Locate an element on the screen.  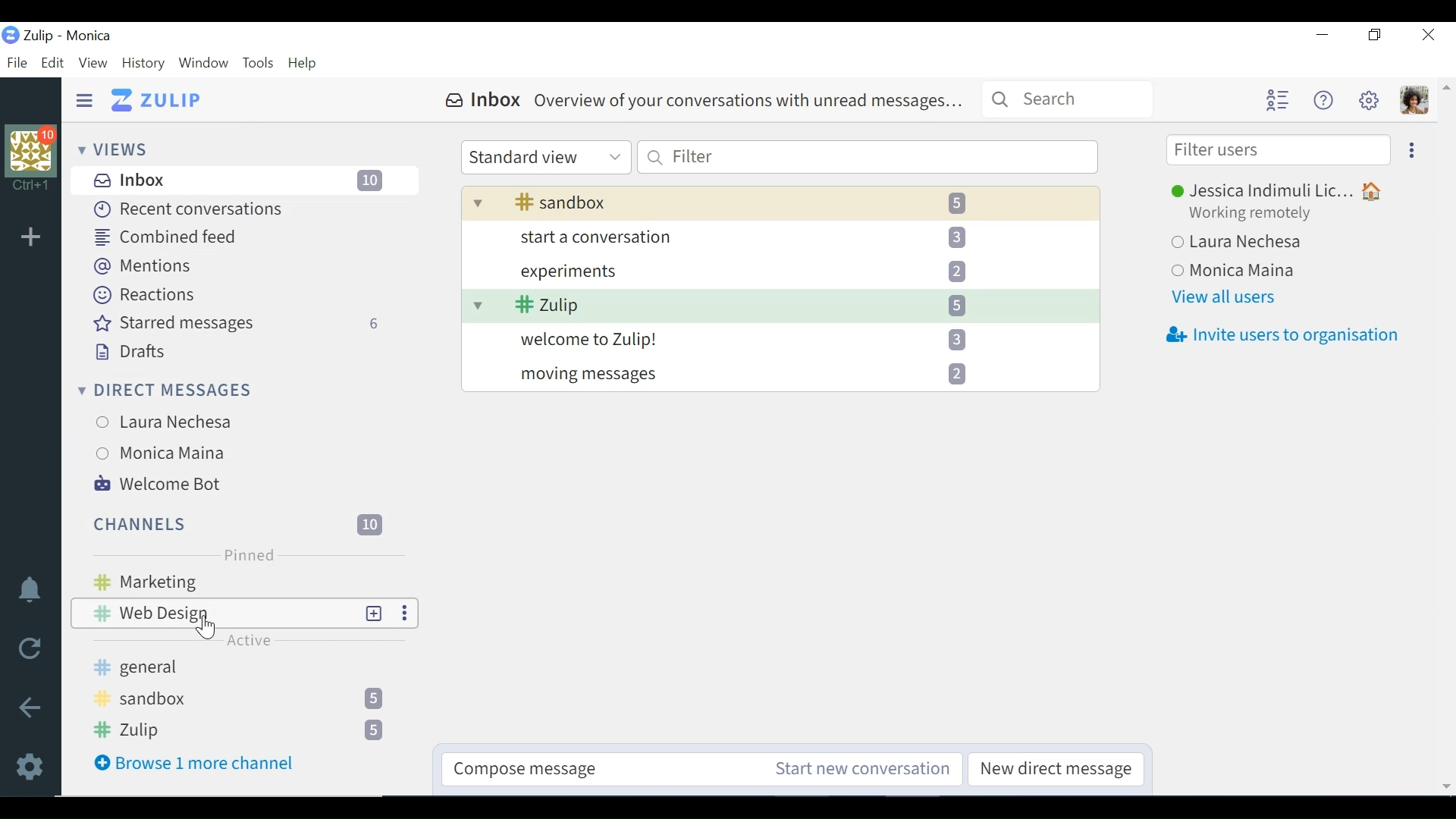
Welcome Bot is located at coordinates (158, 484).